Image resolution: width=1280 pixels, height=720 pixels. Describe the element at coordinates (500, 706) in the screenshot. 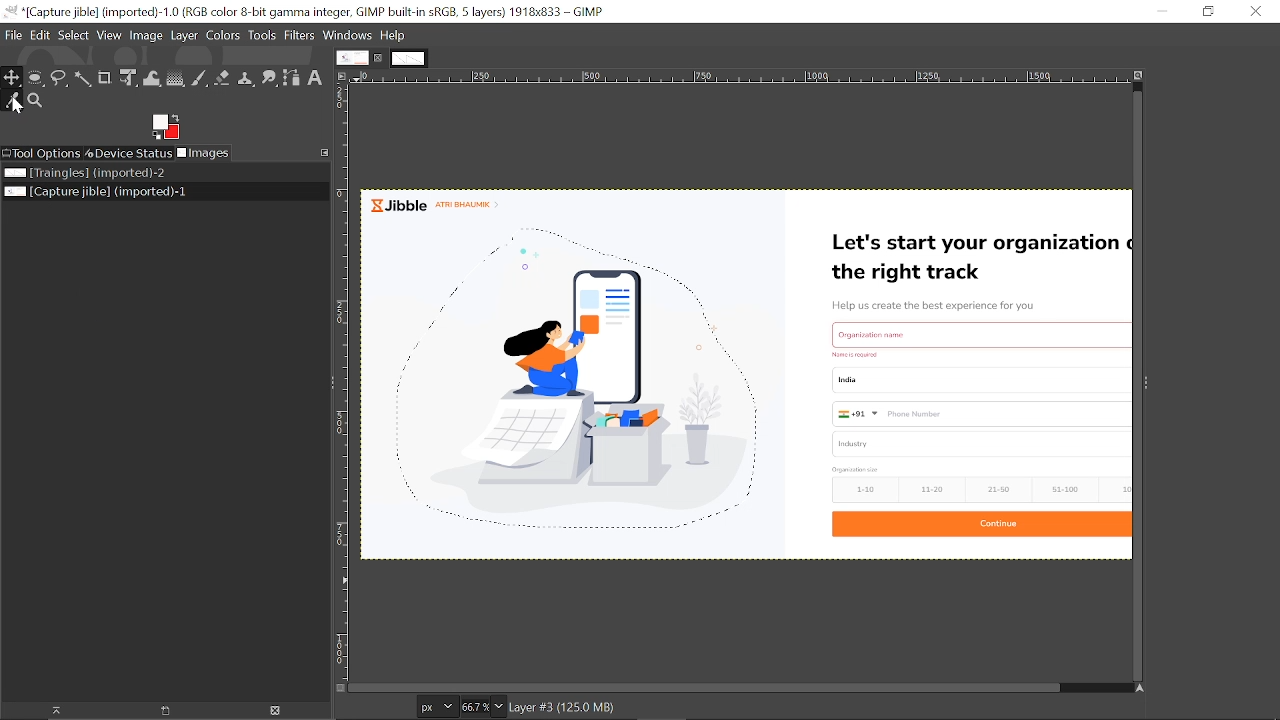

I see `Zoom options` at that location.